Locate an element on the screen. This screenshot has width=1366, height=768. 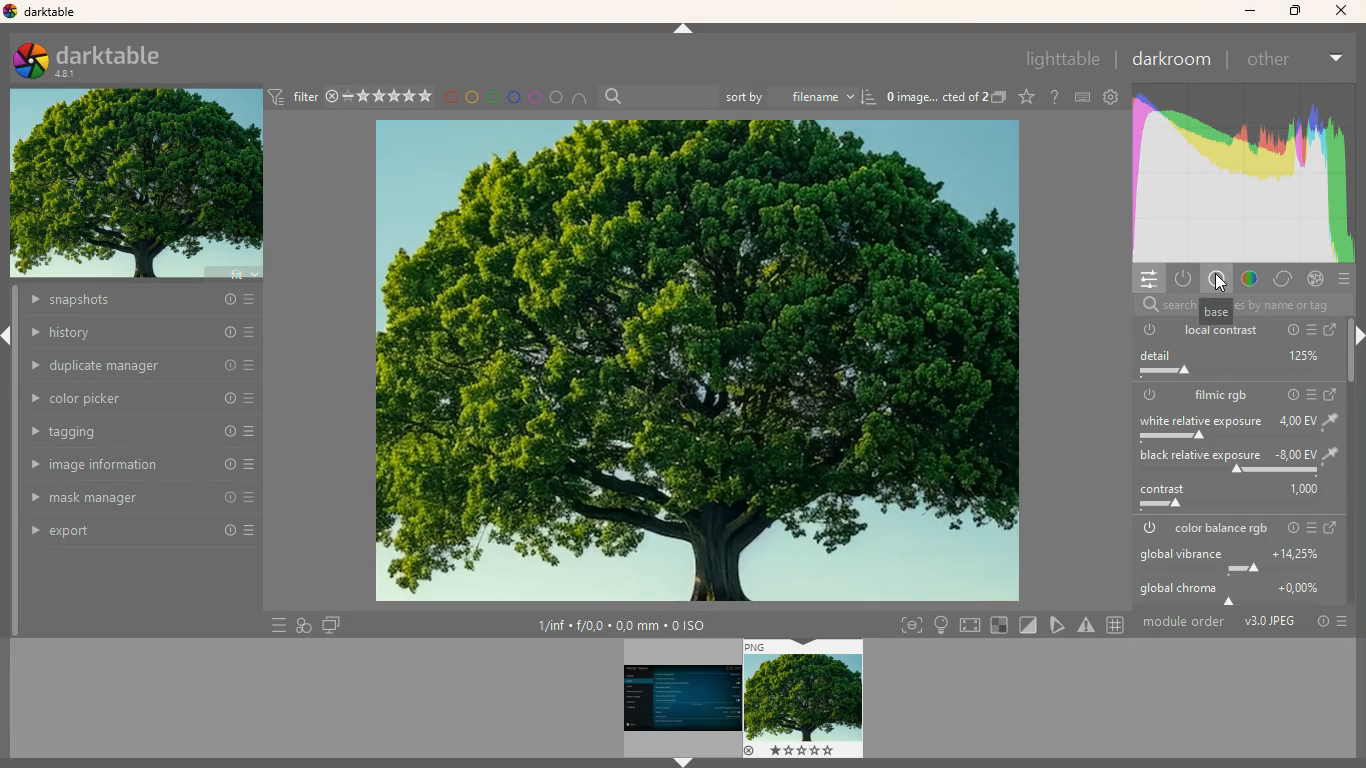
power is located at coordinates (1152, 396).